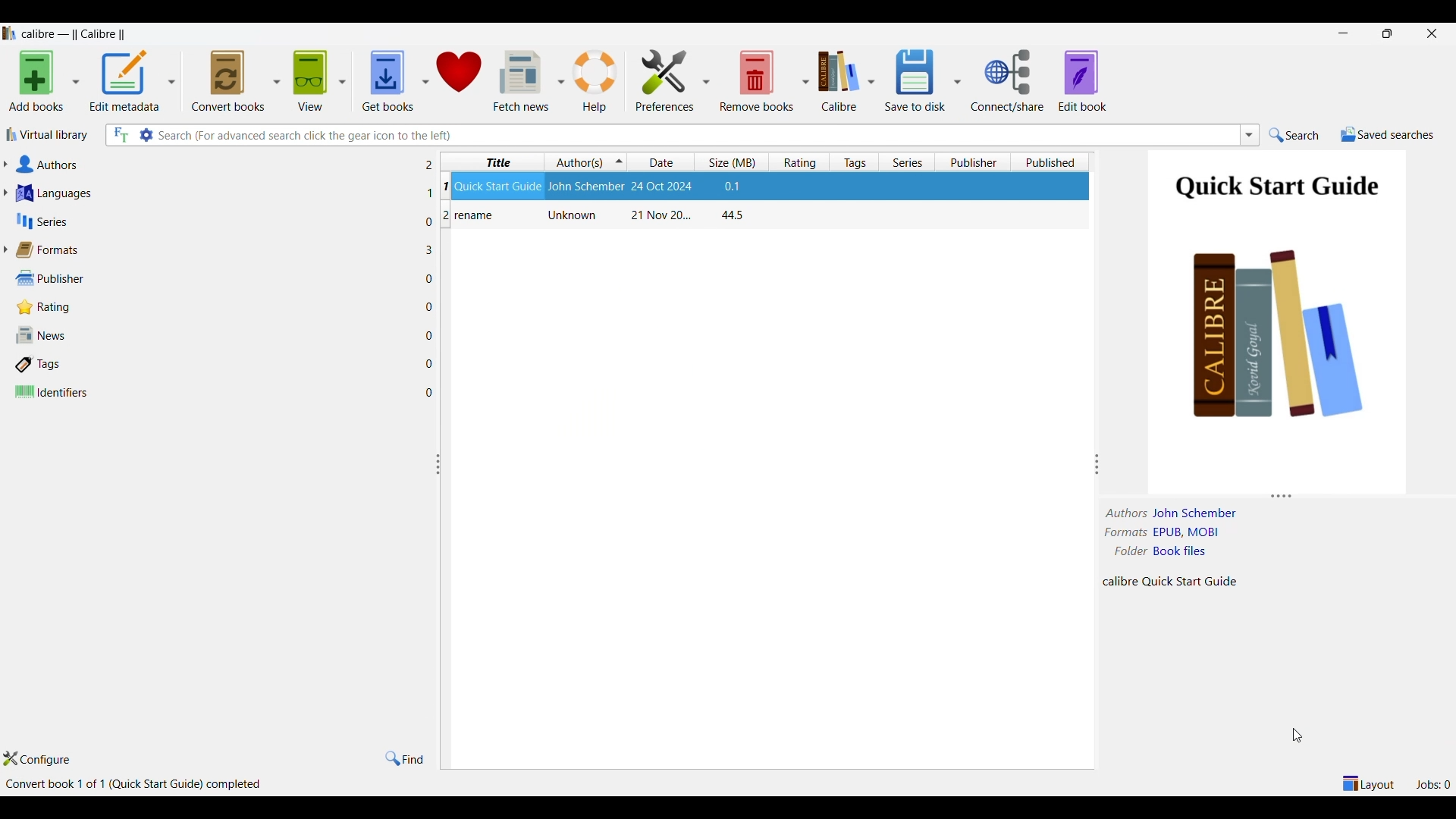  I want to click on Preference options, so click(705, 80).